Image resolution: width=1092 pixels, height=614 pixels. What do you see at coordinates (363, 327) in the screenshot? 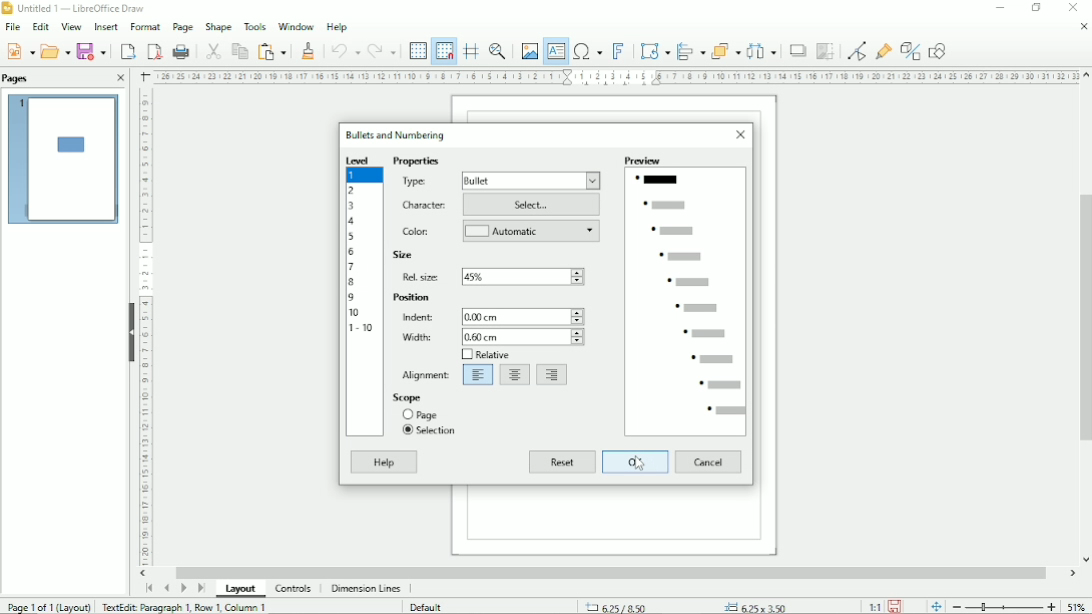
I see `1-10` at bounding box center [363, 327].